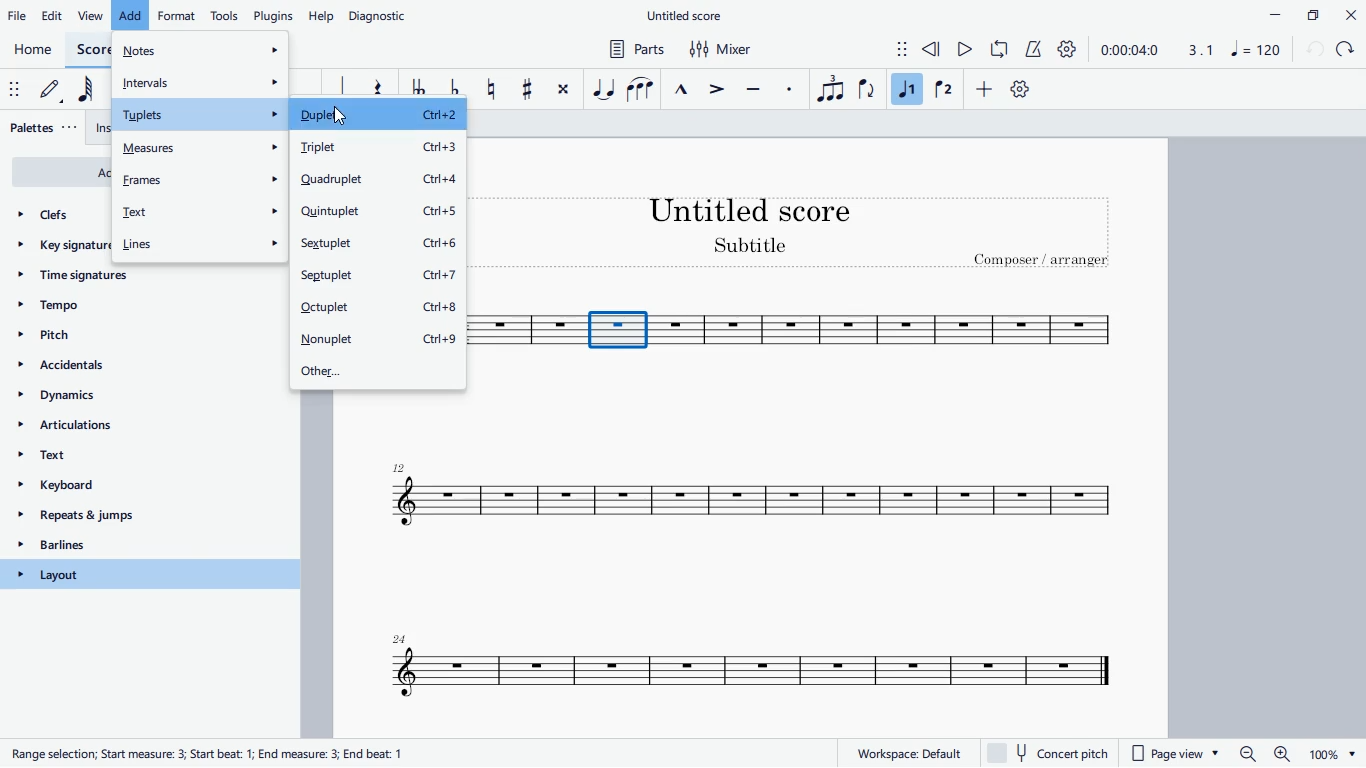 The height and width of the screenshot is (768, 1366). What do you see at coordinates (756, 87) in the screenshot?
I see `tenuto` at bounding box center [756, 87].